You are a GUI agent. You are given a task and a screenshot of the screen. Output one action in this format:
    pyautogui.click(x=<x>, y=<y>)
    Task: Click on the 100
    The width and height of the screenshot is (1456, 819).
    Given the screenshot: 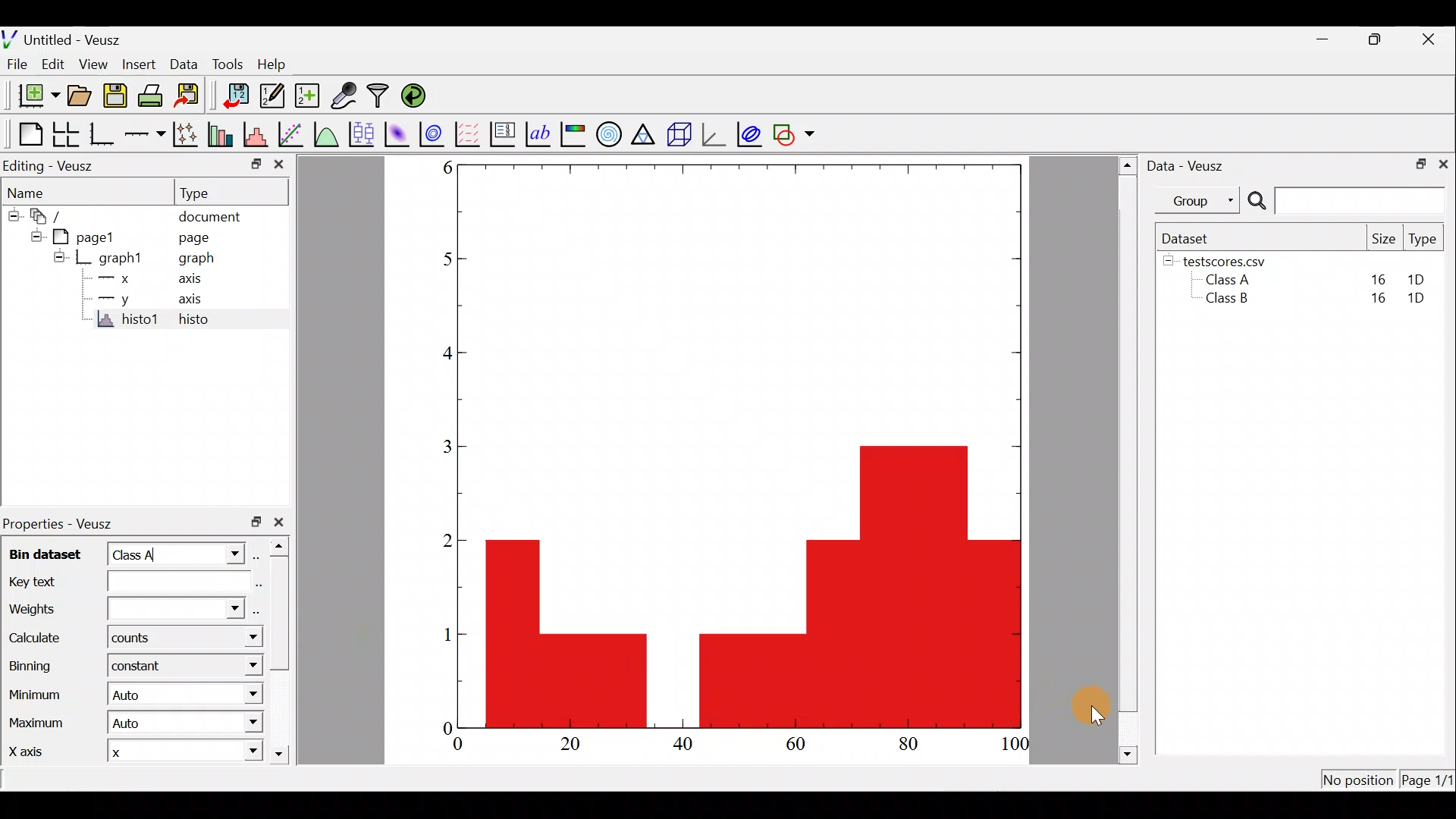 What is the action you would take?
    pyautogui.click(x=1016, y=745)
    